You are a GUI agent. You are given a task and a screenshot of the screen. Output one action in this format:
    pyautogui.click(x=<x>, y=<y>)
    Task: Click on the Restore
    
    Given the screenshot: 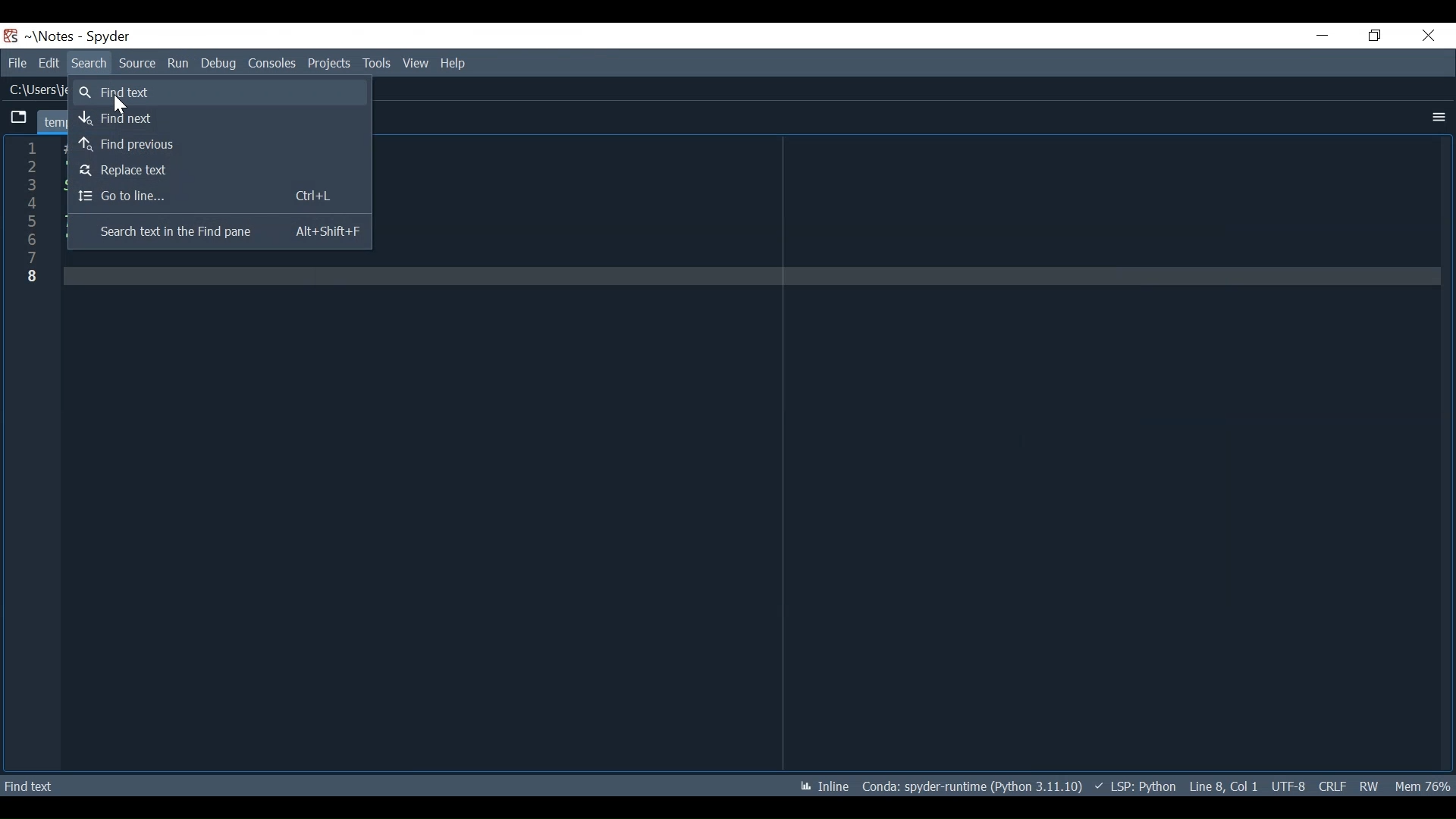 What is the action you would take?
    pyautogui.click(x=1376, y=33)
    